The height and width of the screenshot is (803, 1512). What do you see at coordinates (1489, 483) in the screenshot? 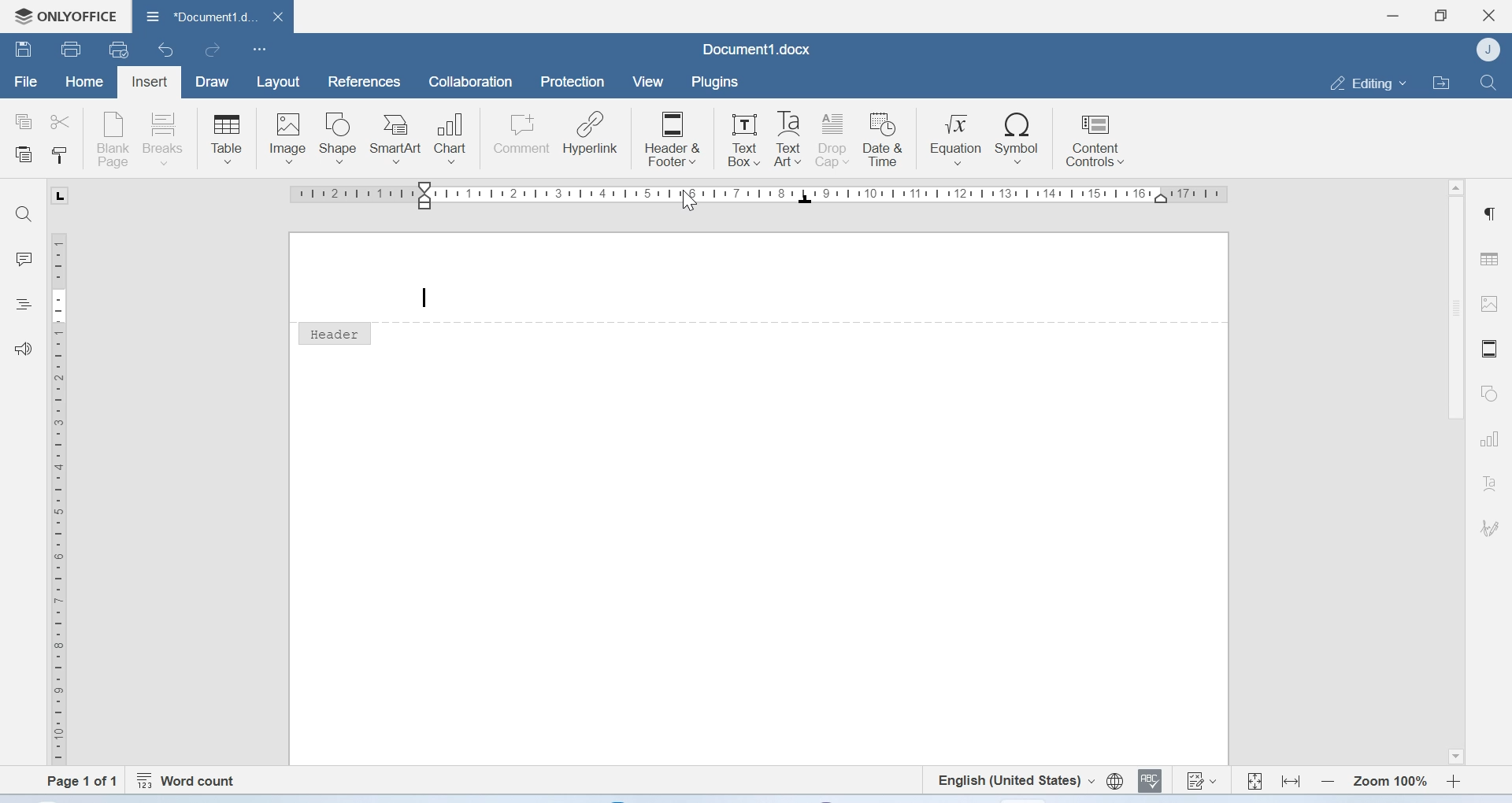
I see `Text` at bounding box center [1489, 483].